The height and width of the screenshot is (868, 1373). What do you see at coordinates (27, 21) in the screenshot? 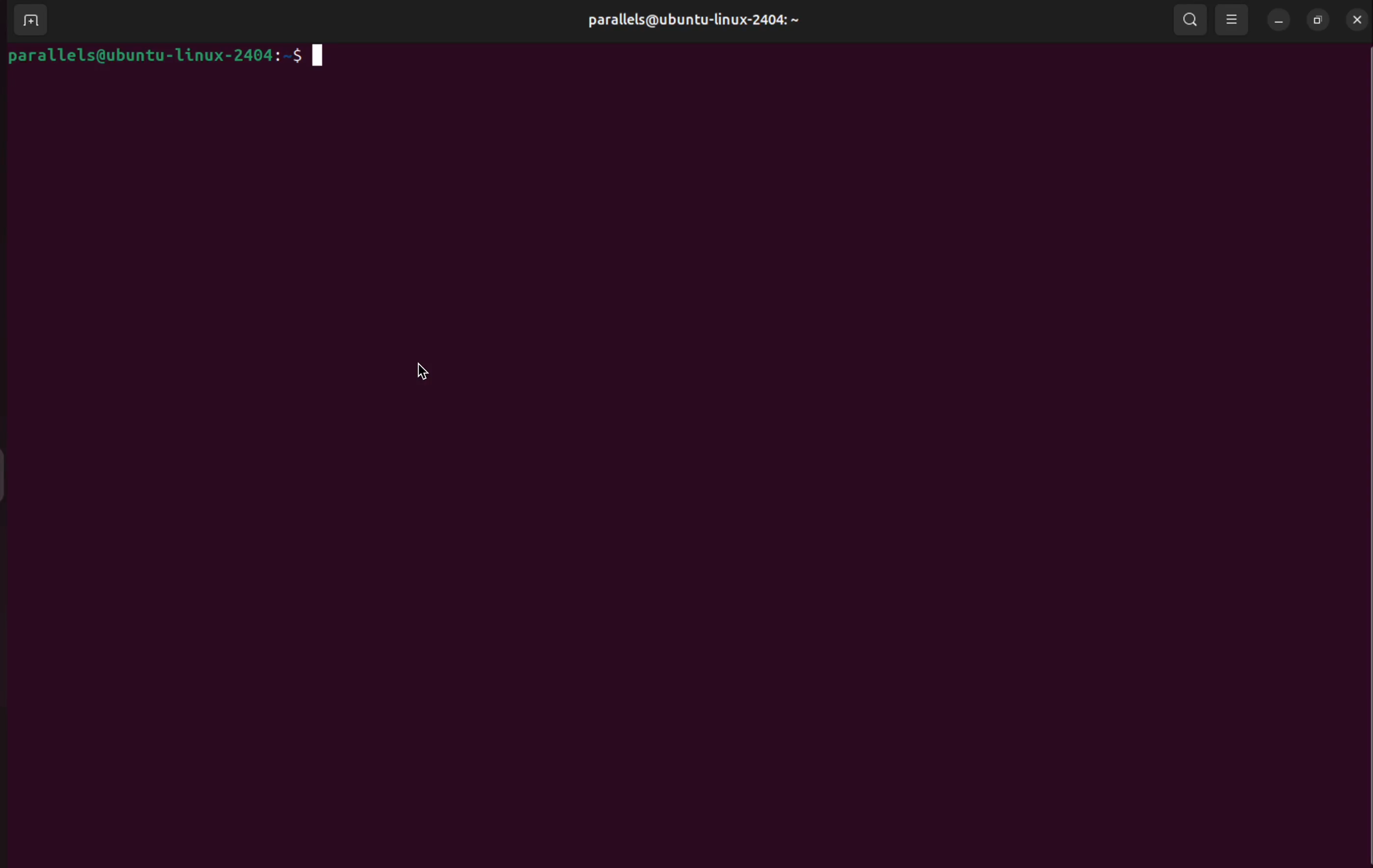
I see `add terminal` at bounding box center [27, 21].